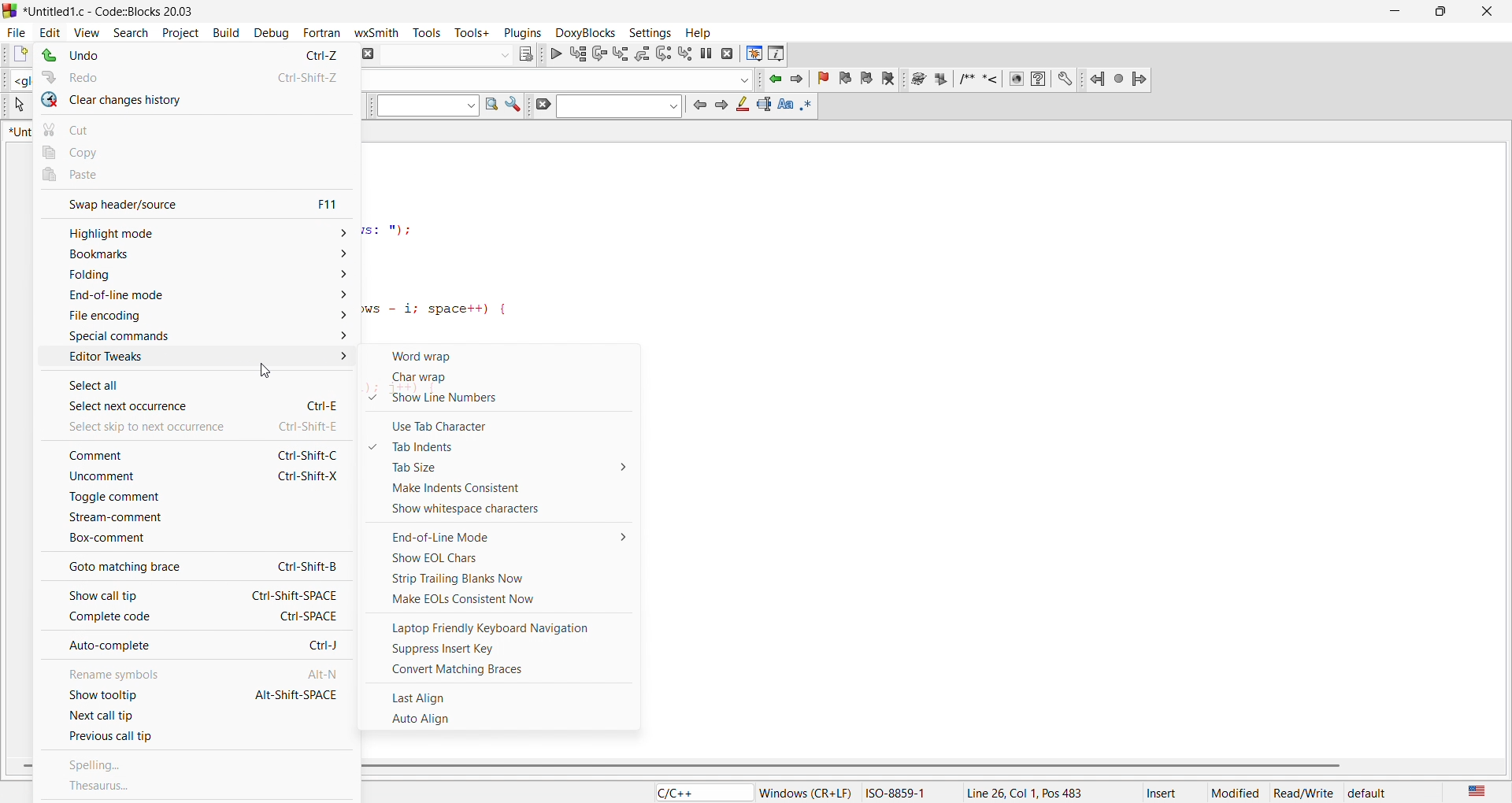 The height and width of the screenshot is (803, 1512). Describe the element at coordinates (102, 480) in the screenshot. I see `uncomment ` at that location.